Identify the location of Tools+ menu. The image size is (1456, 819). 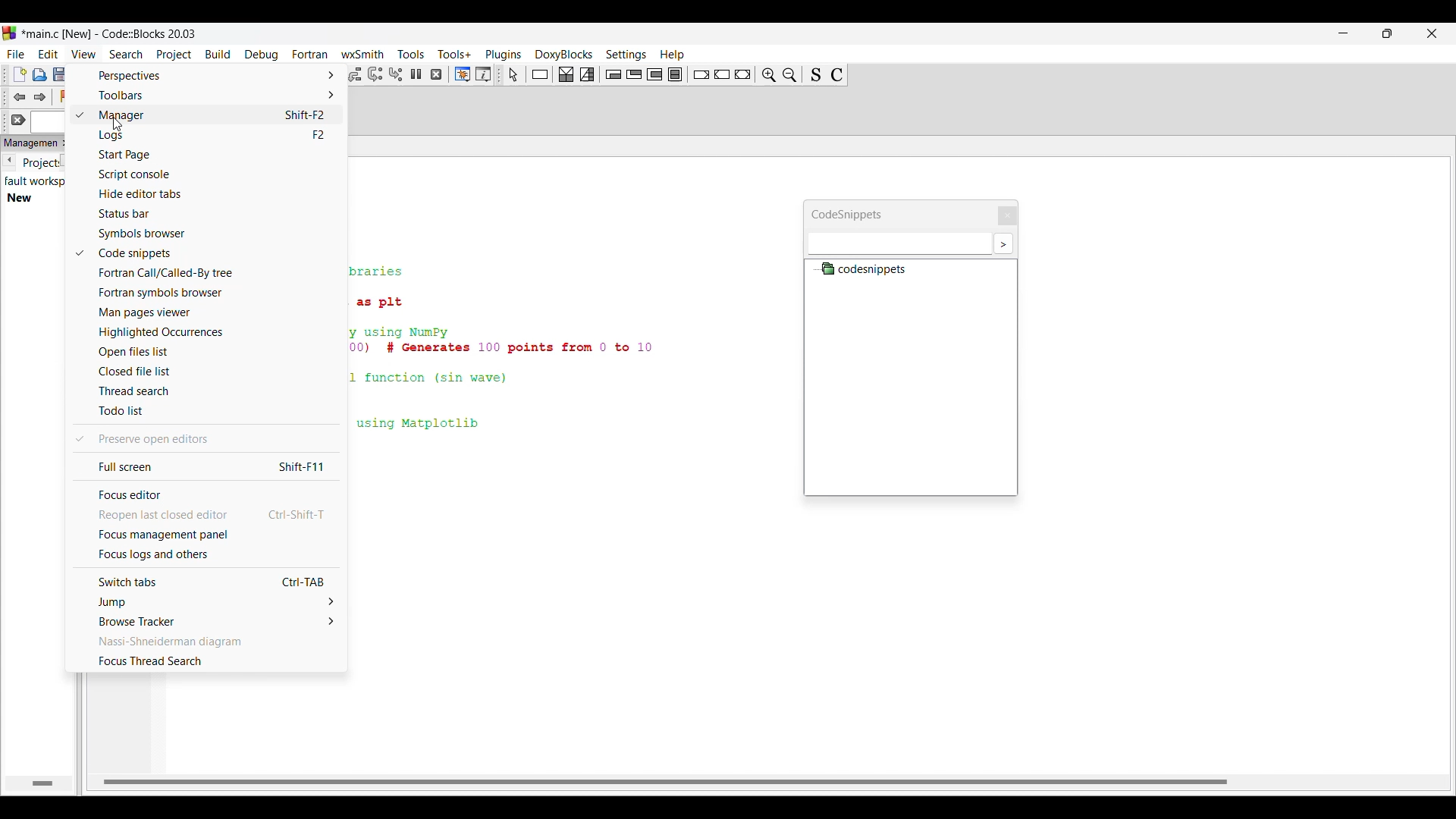
(454, 54).